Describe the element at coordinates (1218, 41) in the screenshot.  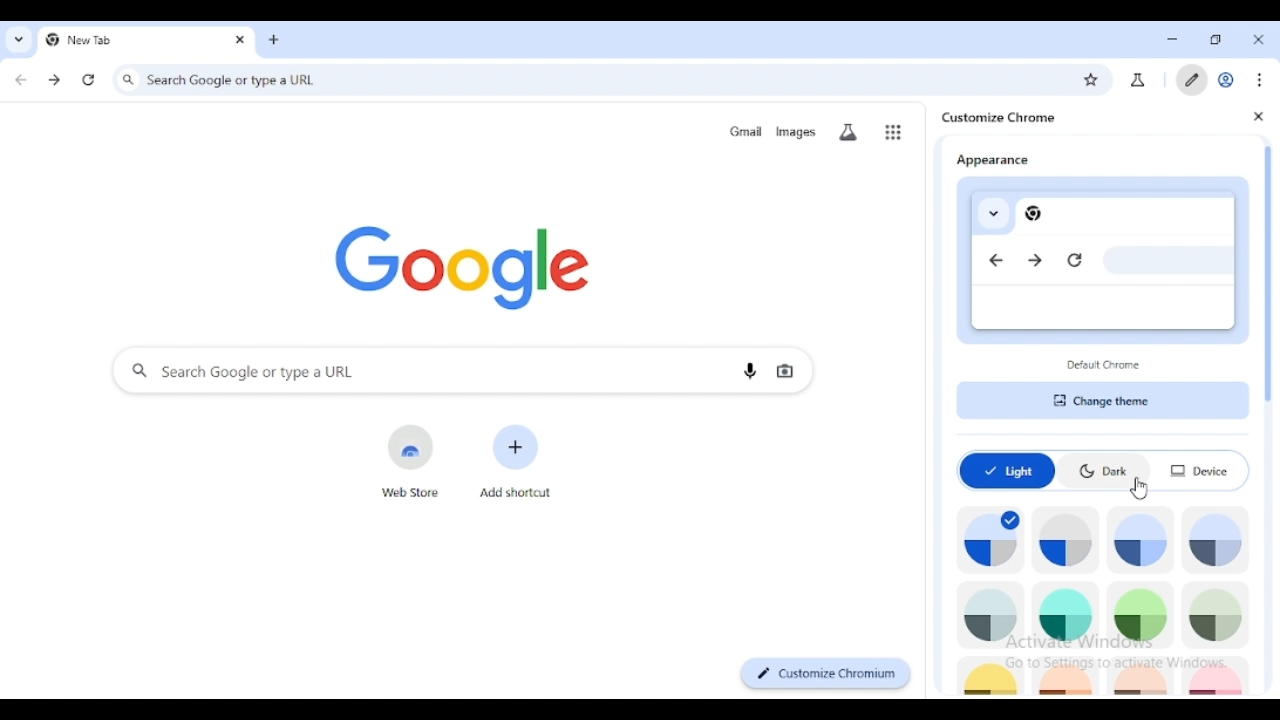
I see `maximize` at that location.